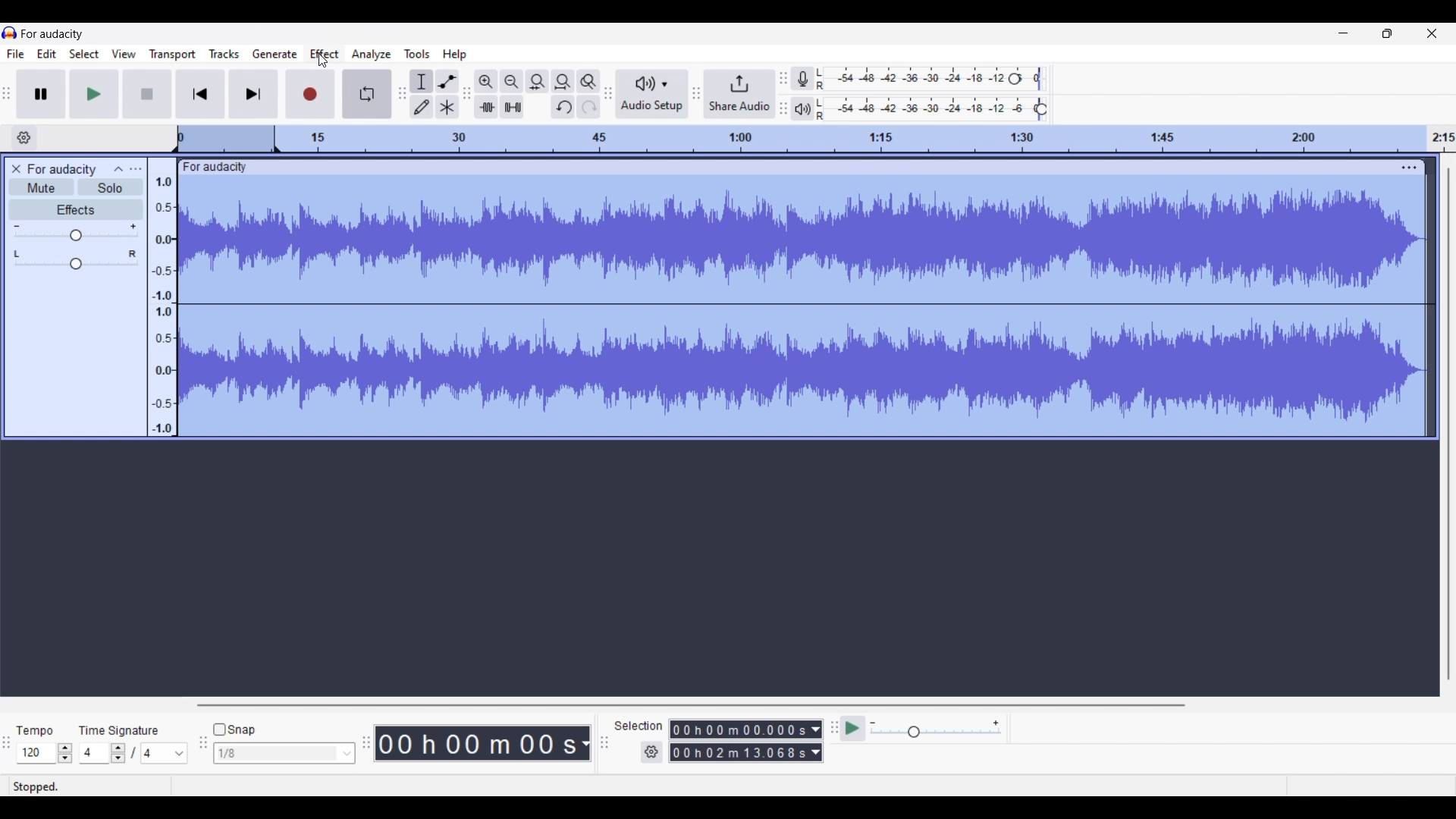 The width and height of the screenshot is (1456, 819). I want to click on Track name, so click(215, 168).